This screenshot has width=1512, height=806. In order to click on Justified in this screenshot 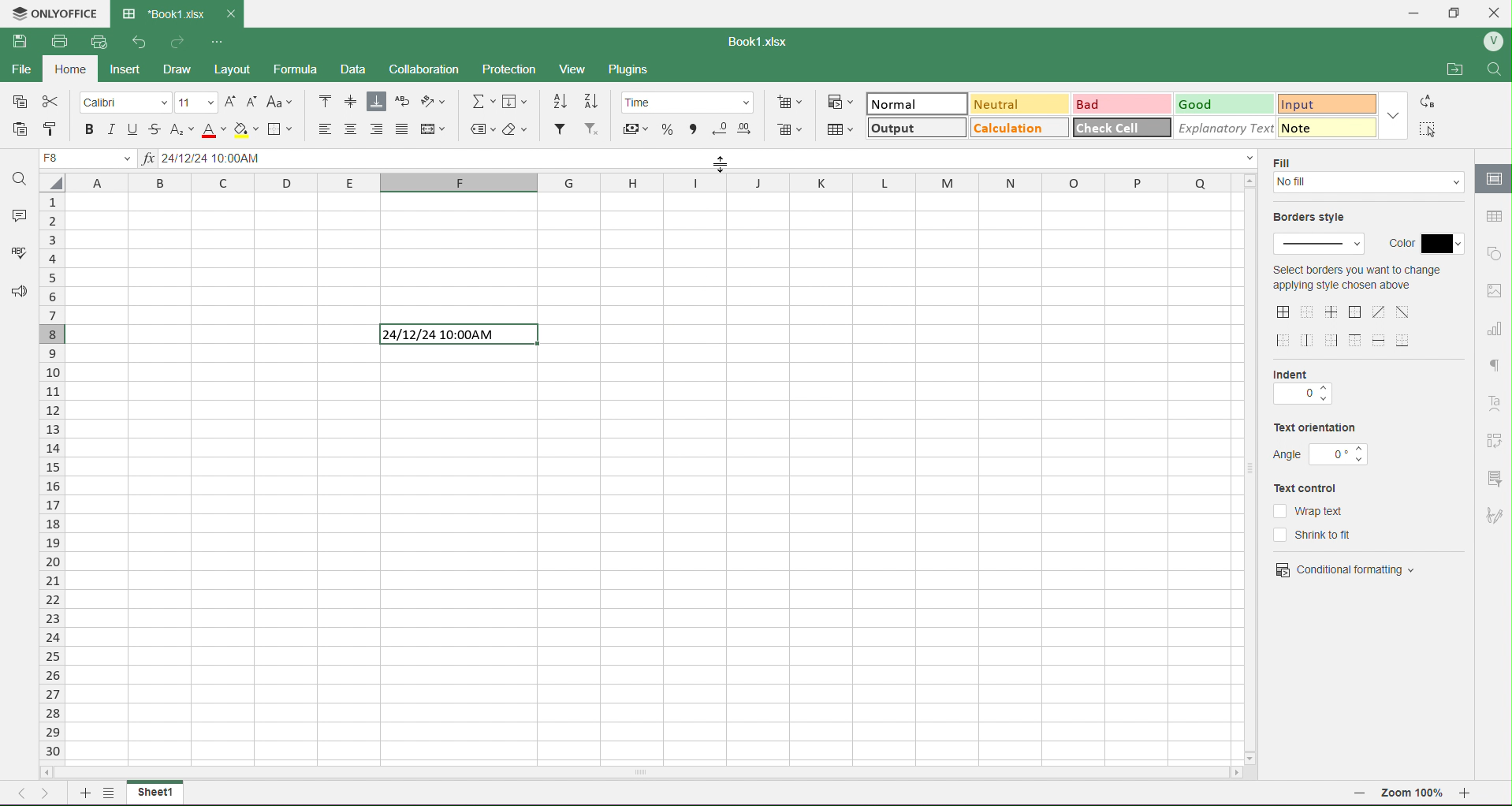, I will do `click(403, 129)`.